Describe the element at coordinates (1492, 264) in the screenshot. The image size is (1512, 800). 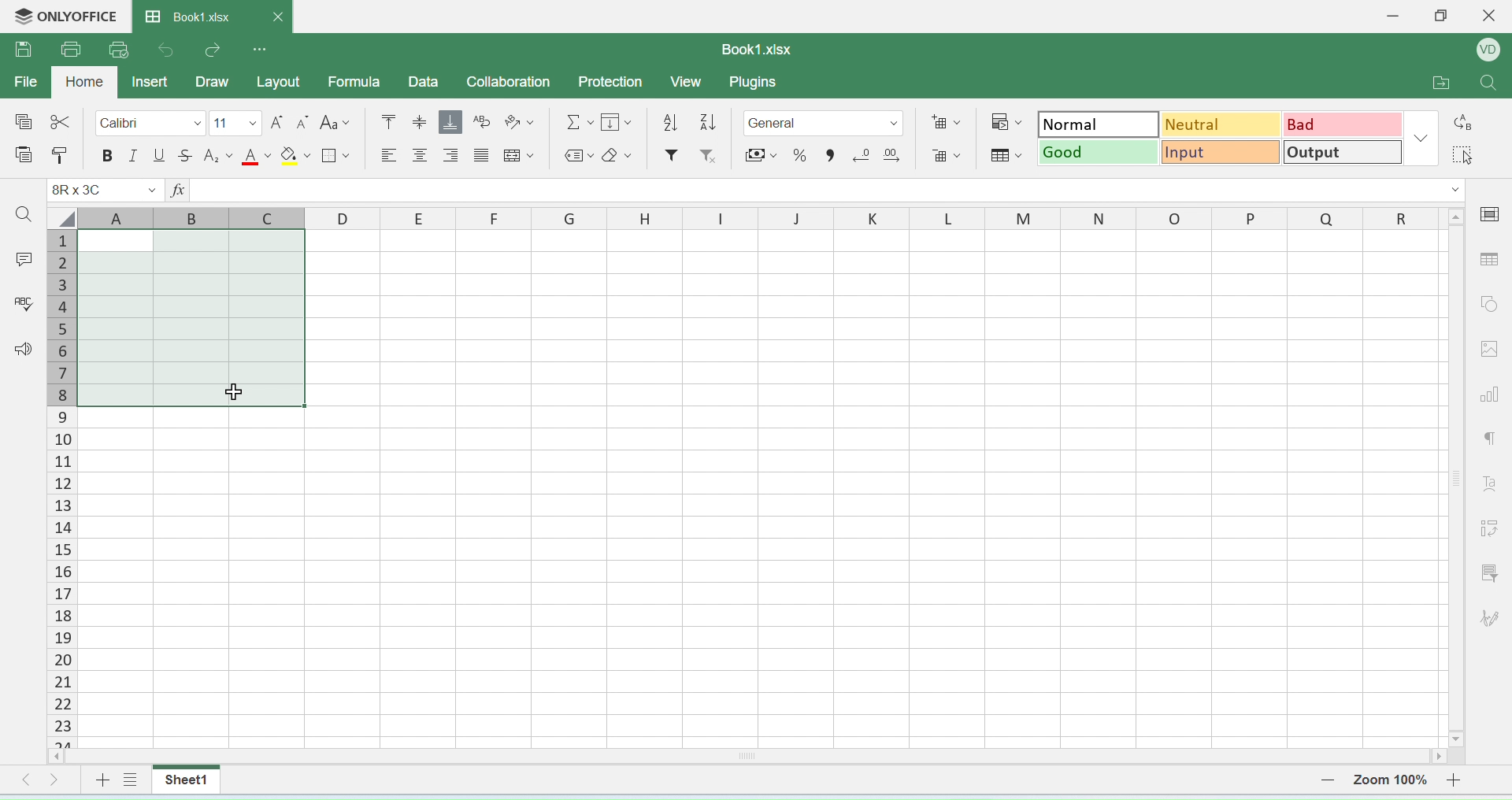
I see `table` at that location.